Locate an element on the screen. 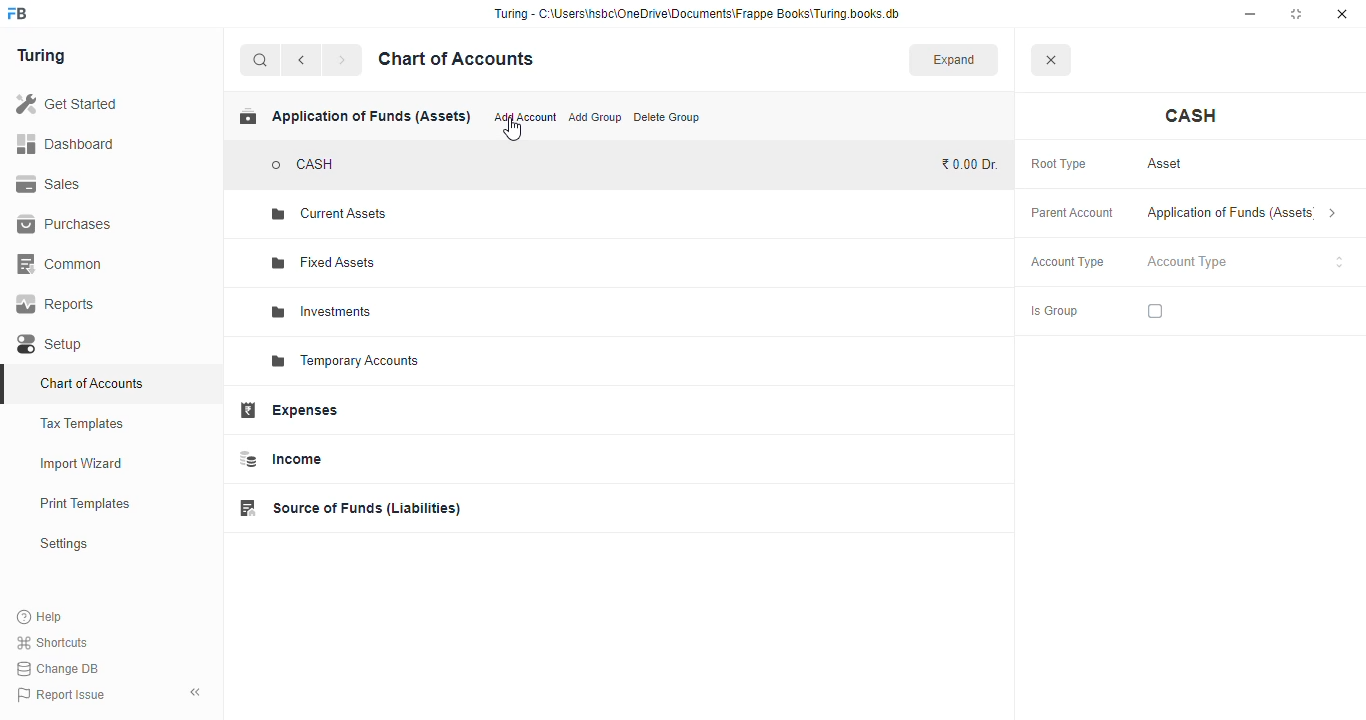  tax templates is located at coordinates (83, 423).